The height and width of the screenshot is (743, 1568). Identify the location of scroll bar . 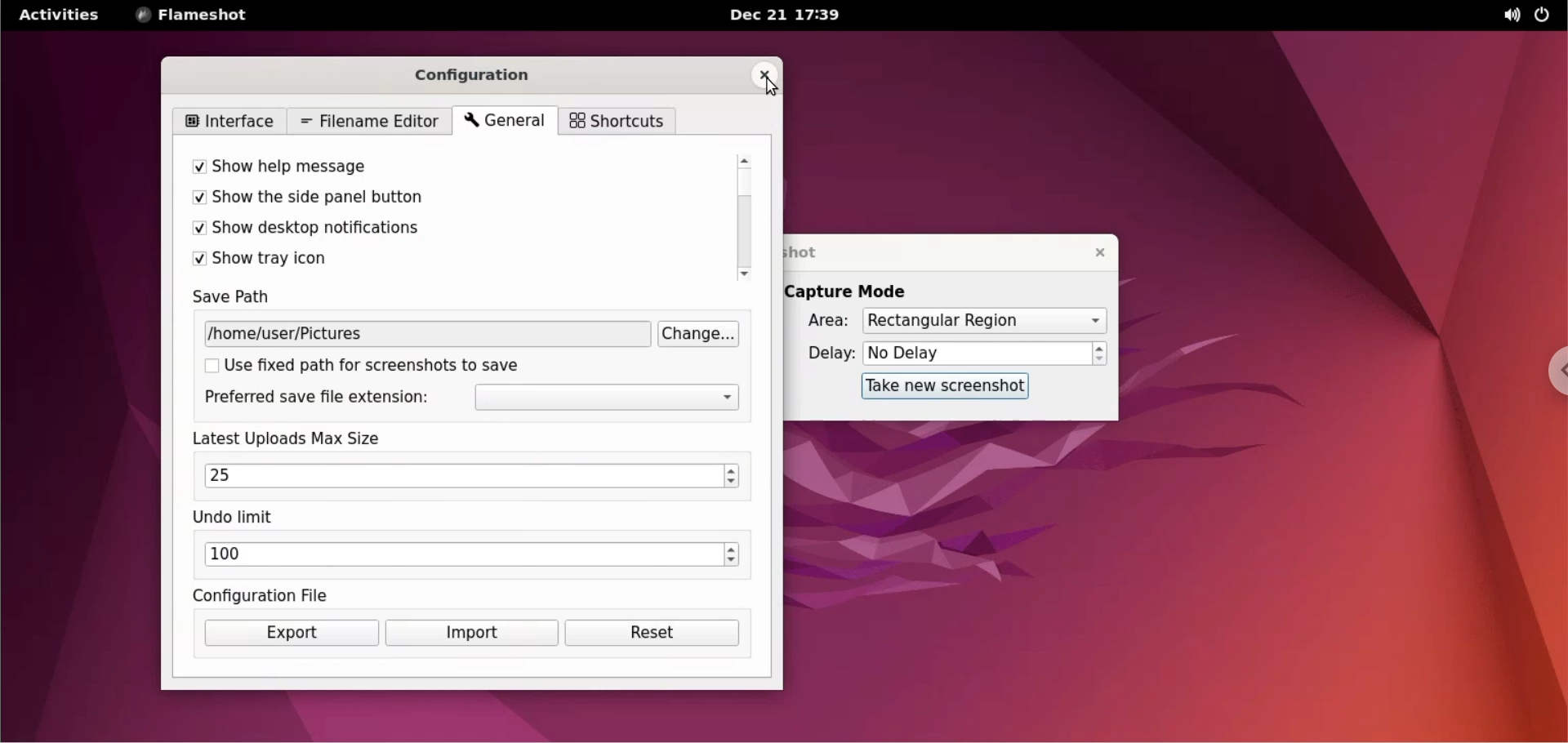
(747, 218).